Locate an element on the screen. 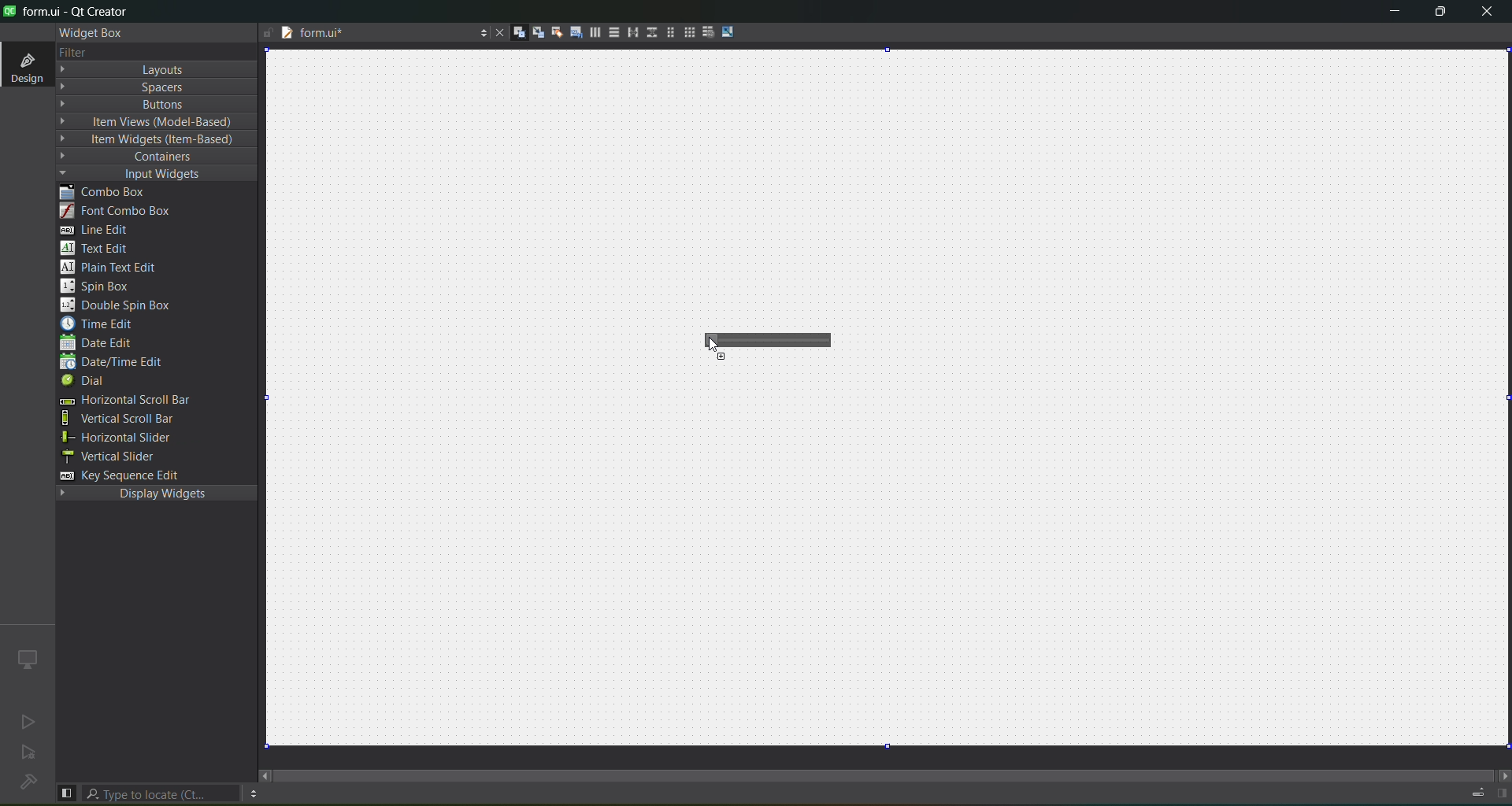 The height and width of the screenshot is (806, 1512). move right is located at coordinates (1502, 773).